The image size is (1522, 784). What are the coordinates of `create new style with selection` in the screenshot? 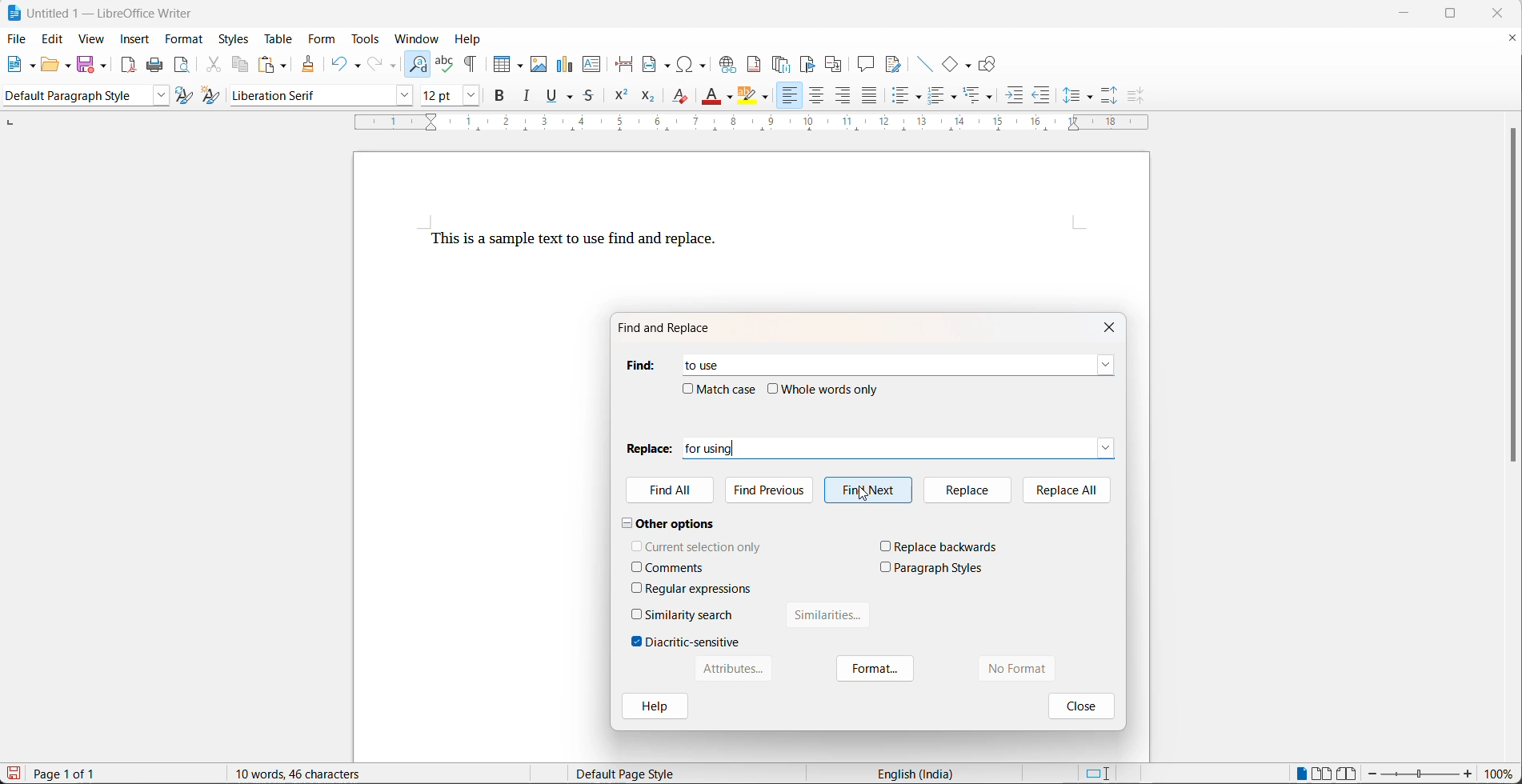 It's located at (214, 95).